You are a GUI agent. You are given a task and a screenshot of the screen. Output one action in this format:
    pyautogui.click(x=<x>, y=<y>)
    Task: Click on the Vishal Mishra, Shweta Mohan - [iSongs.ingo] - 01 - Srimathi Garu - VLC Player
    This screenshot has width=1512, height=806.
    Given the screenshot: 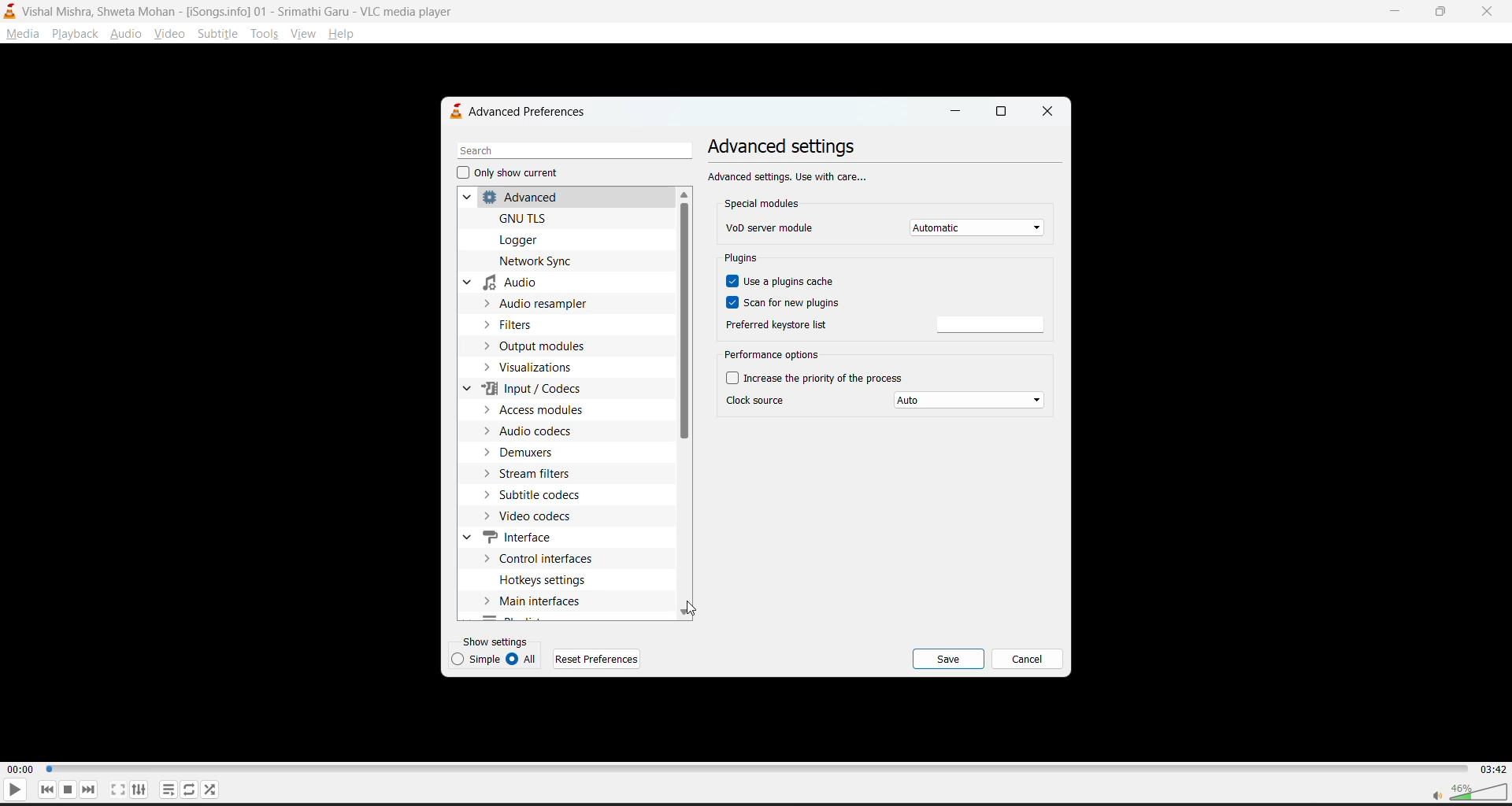 What is the action you would take?
    pyautogui.click(x=241, y=11)
    